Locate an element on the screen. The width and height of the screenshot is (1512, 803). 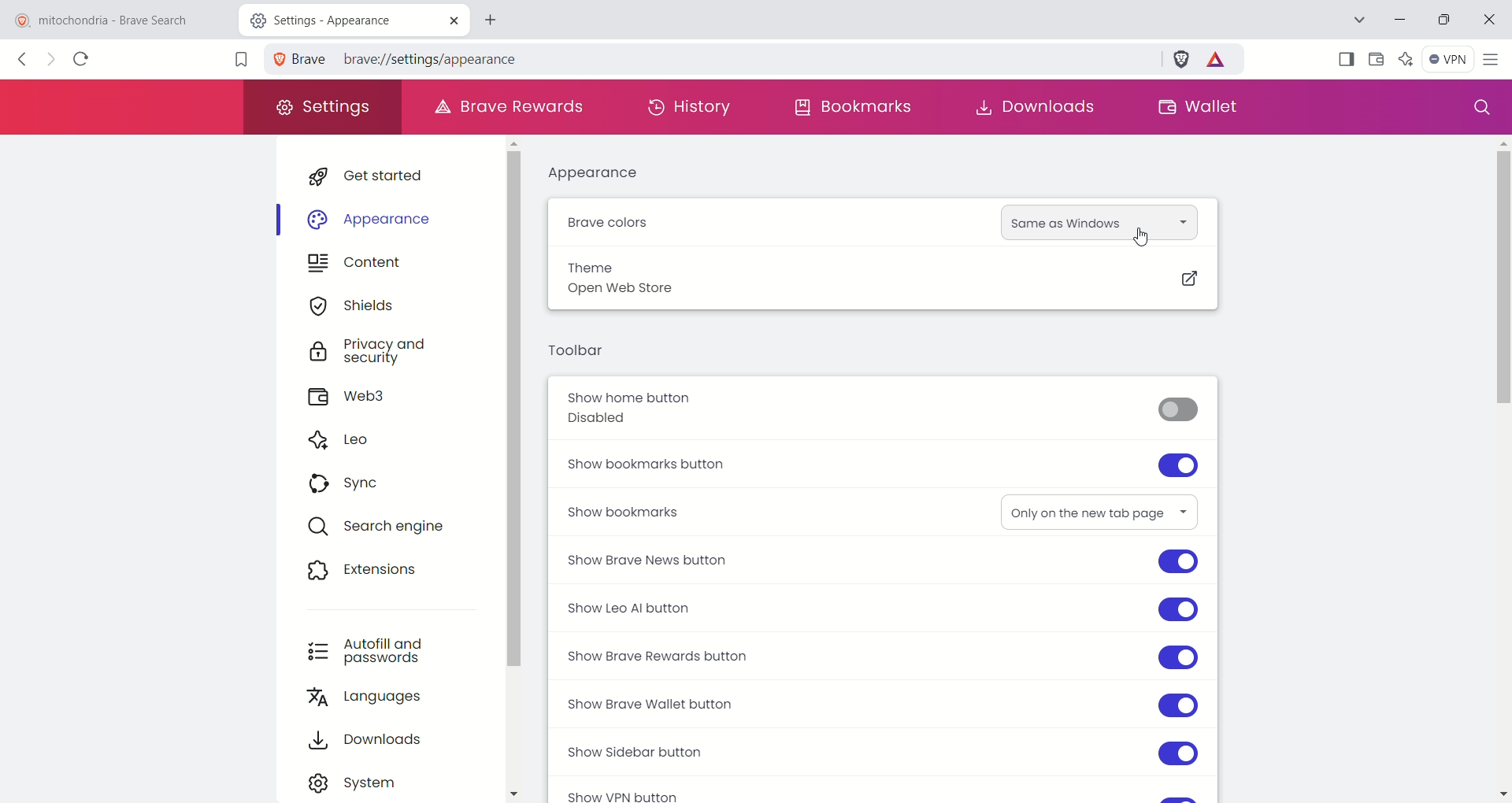
extensions is located at coordinates (369, 570).